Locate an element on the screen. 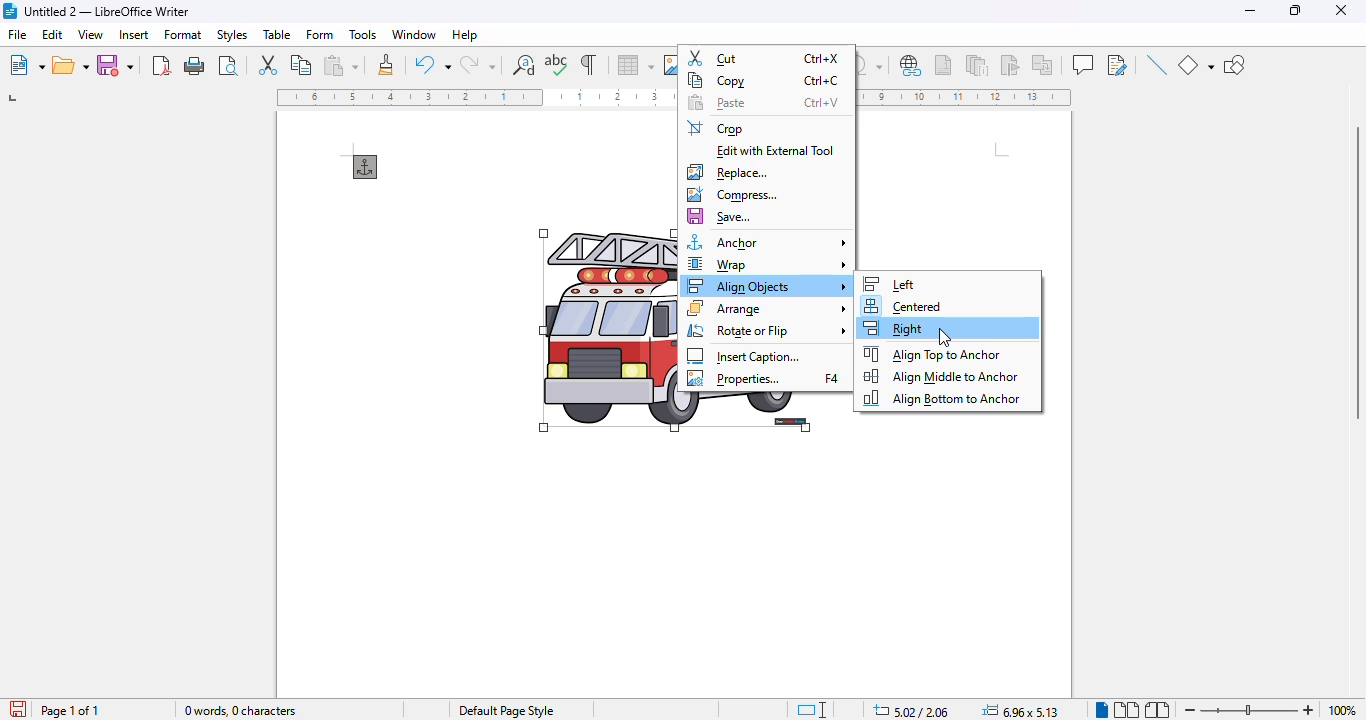 The image size is (1366, 720). copy is located at coordinates (762, 80).